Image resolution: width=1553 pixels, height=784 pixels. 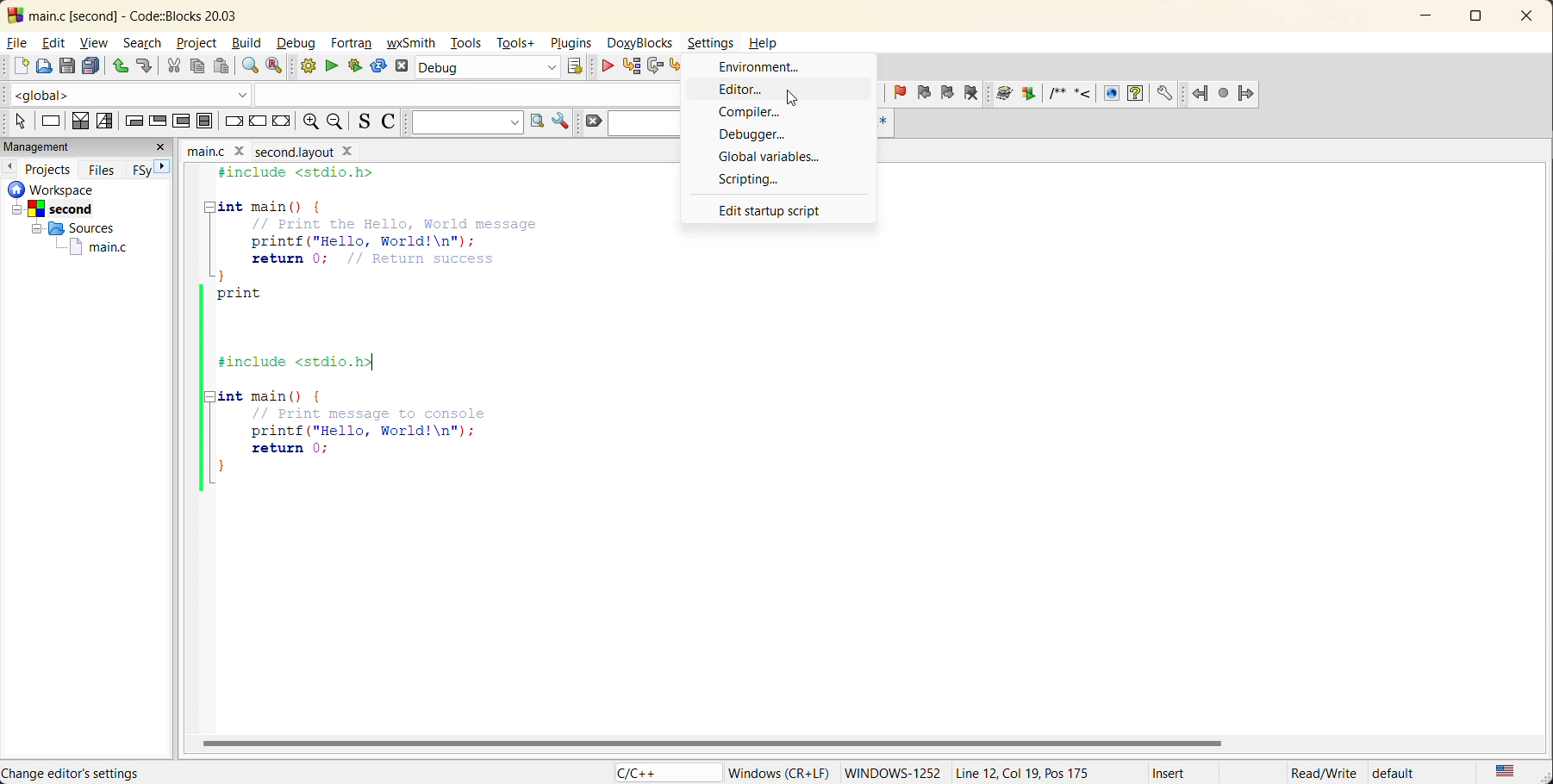 I want to click on next line, so click(x=656, y=65).